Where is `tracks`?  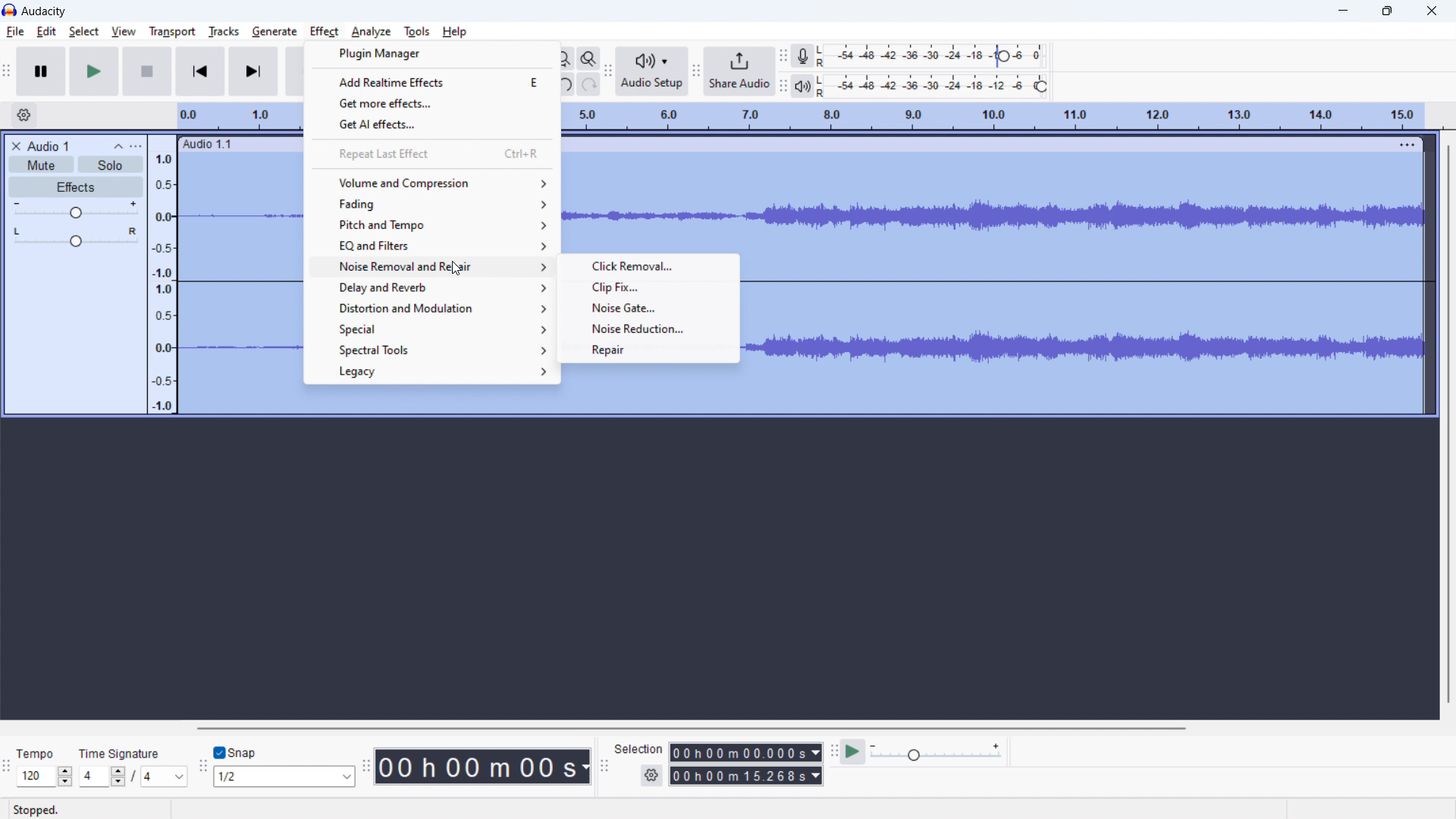 tracks is located at coordinates (223, 31).